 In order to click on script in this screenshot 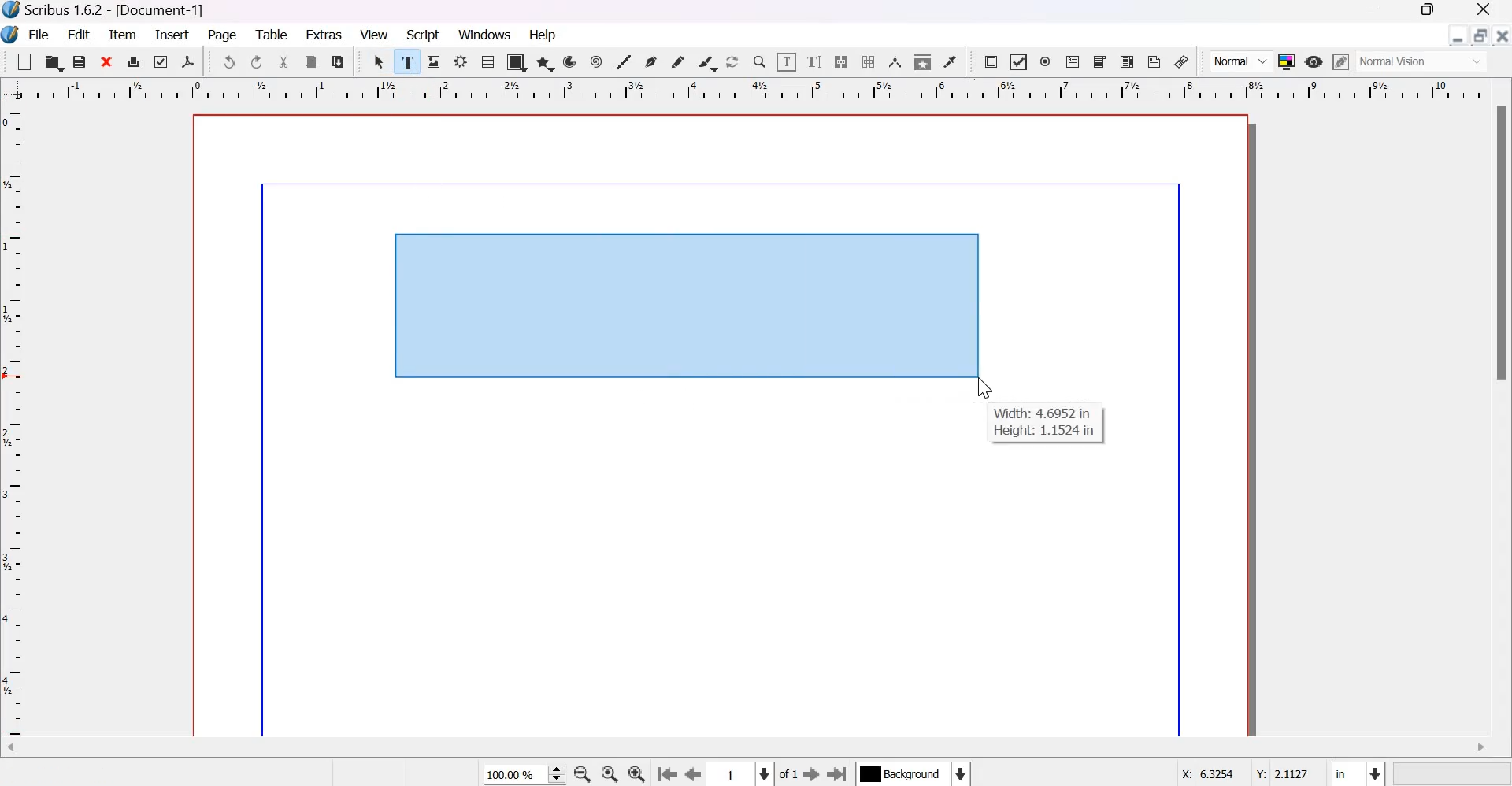, I will do `click(424, 35)`.